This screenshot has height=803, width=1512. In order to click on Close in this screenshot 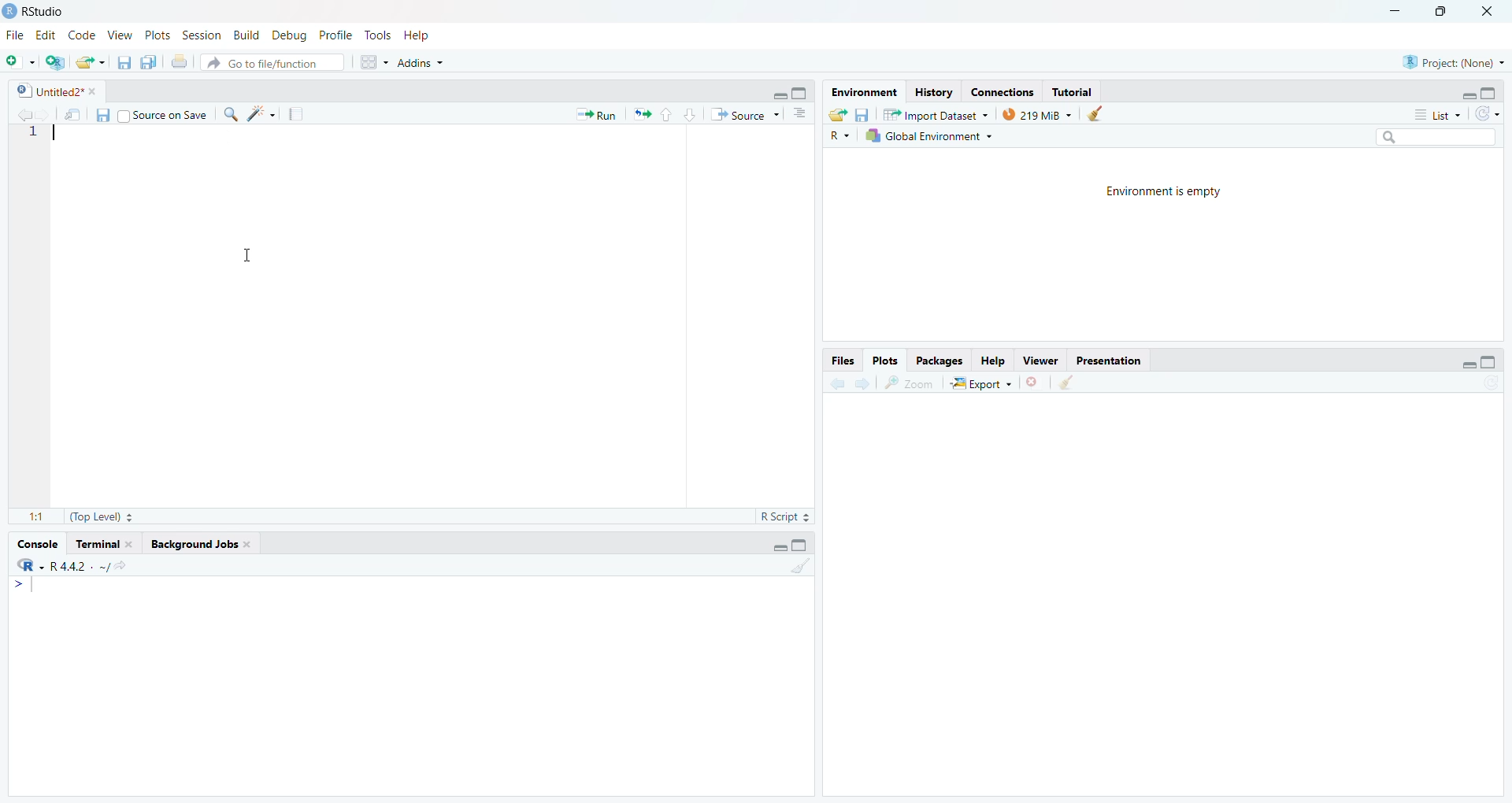, I will do `click(1490, 13)`.